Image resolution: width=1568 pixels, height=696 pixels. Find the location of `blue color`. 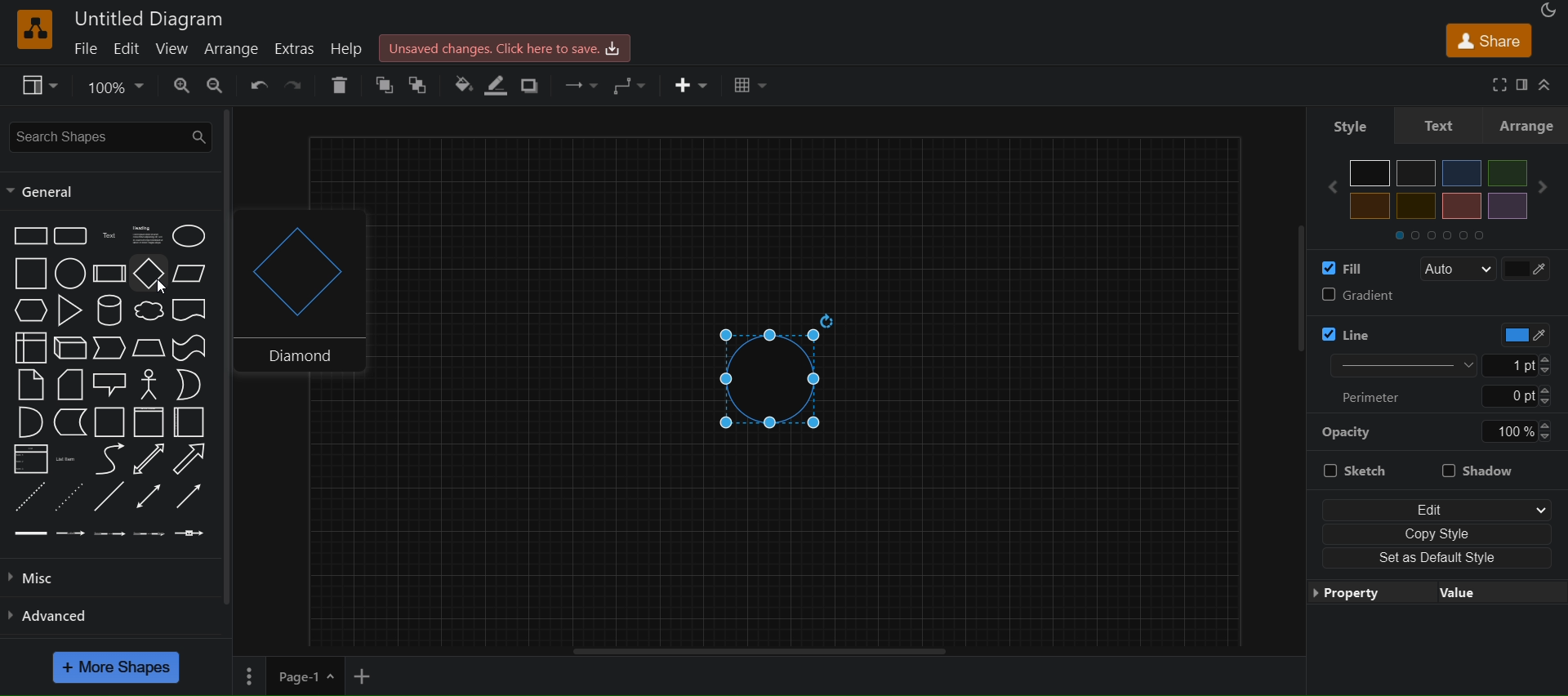

blue color is located at coordinates (1462, 173).